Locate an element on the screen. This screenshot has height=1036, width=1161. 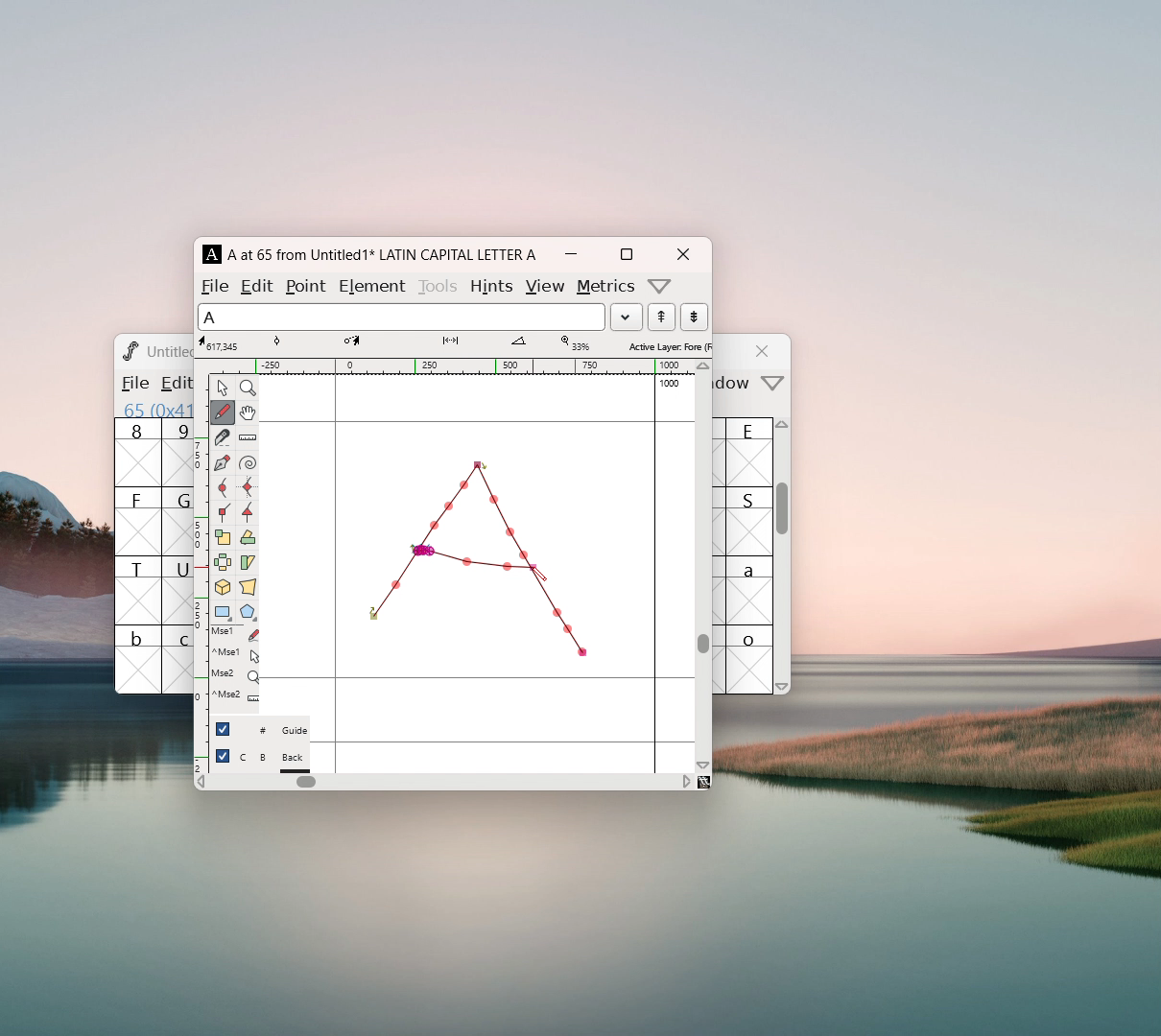
window is located at coordinates (735, 384).